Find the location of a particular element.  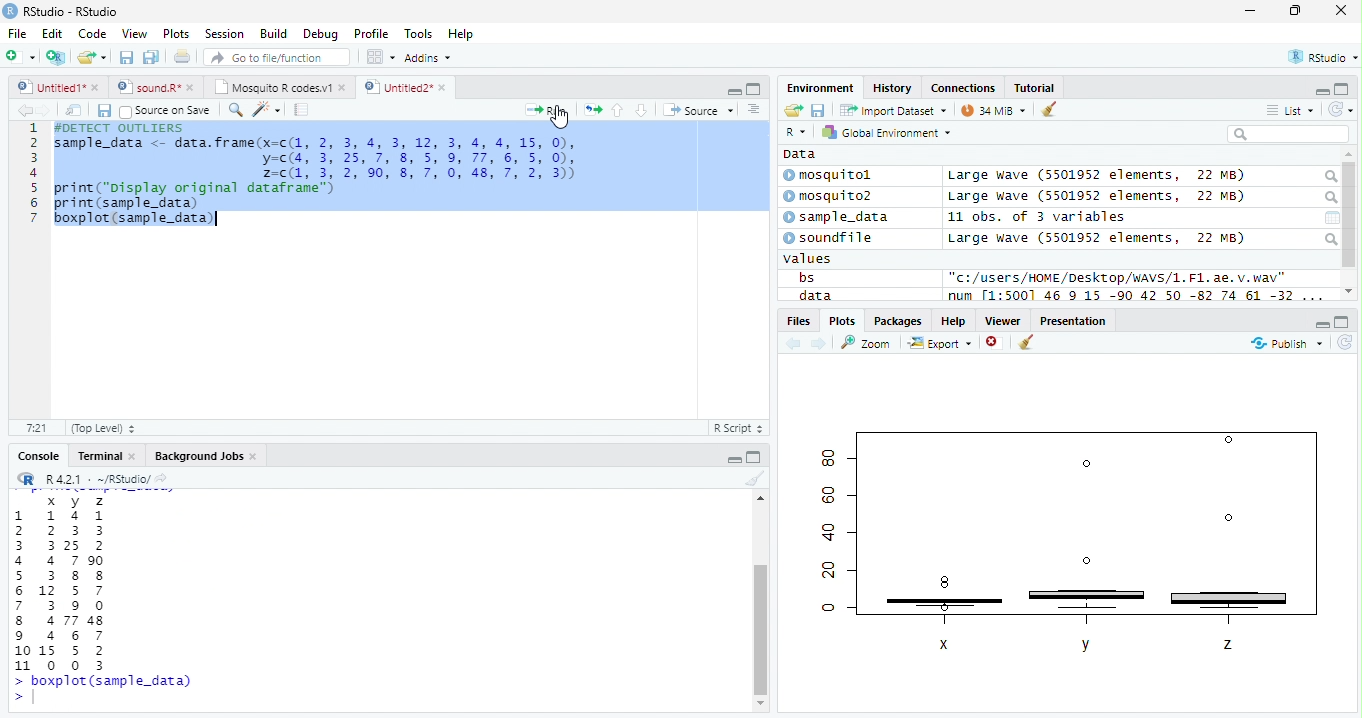

scroll down is located at coordinates (761, 704).